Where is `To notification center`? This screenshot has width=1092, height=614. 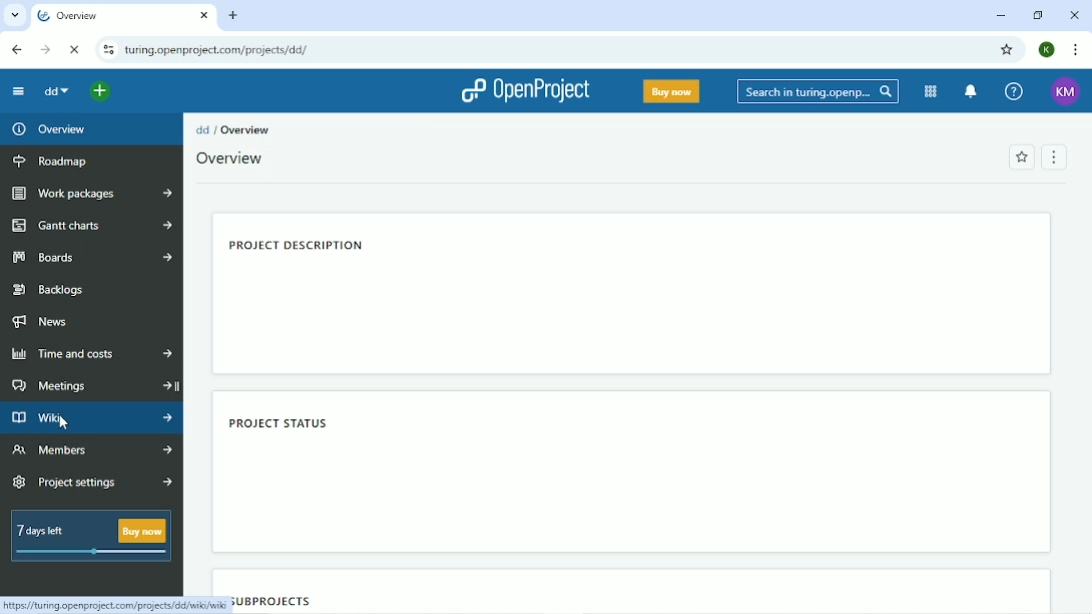 To notification center is located at coordinates (971, 91).